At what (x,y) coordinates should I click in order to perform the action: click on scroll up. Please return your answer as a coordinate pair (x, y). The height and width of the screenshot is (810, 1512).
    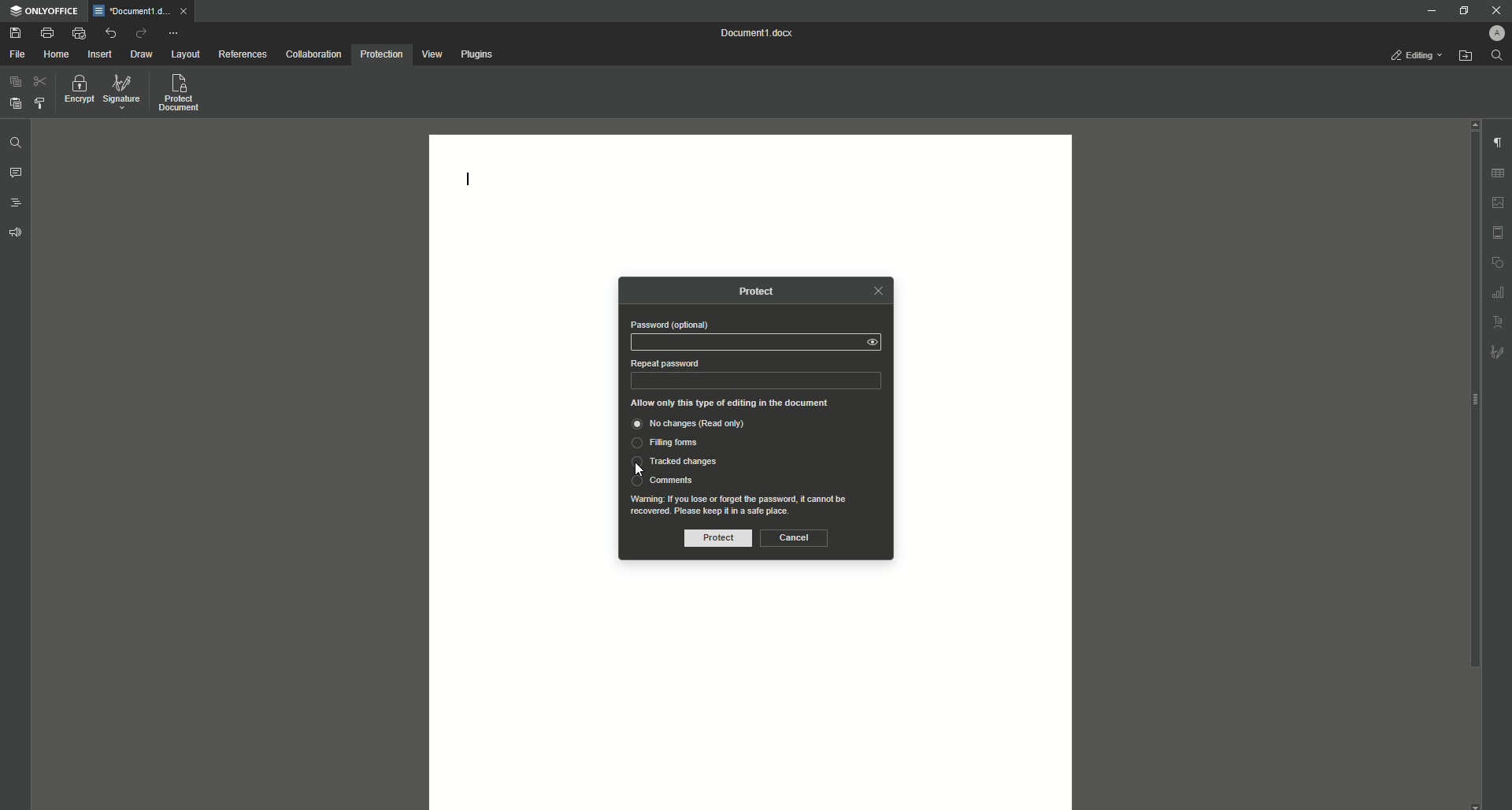
    Looking at the image, I should click on (1475, 124).